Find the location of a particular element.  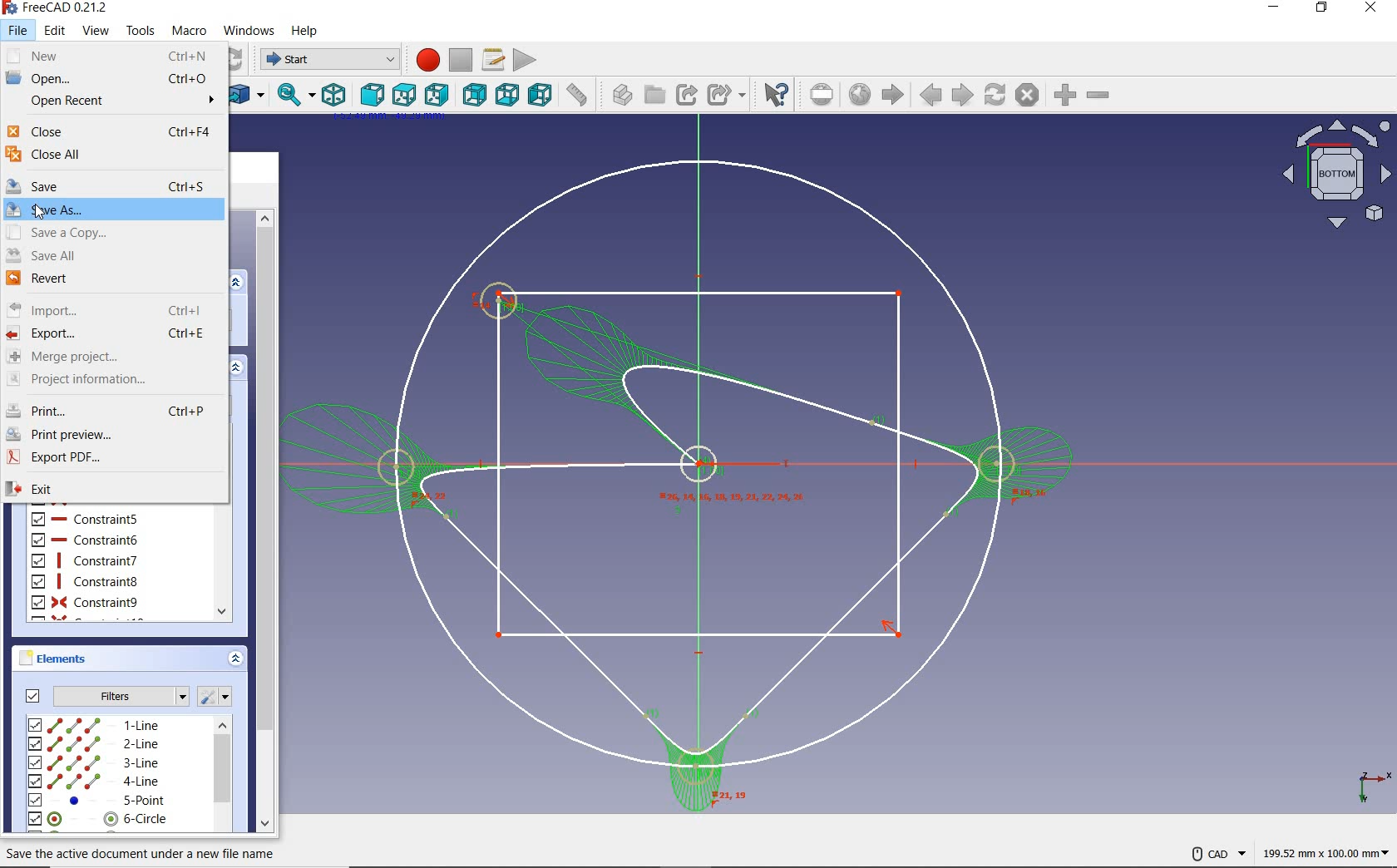

xyz plane is located at coordinates (1368, 784).